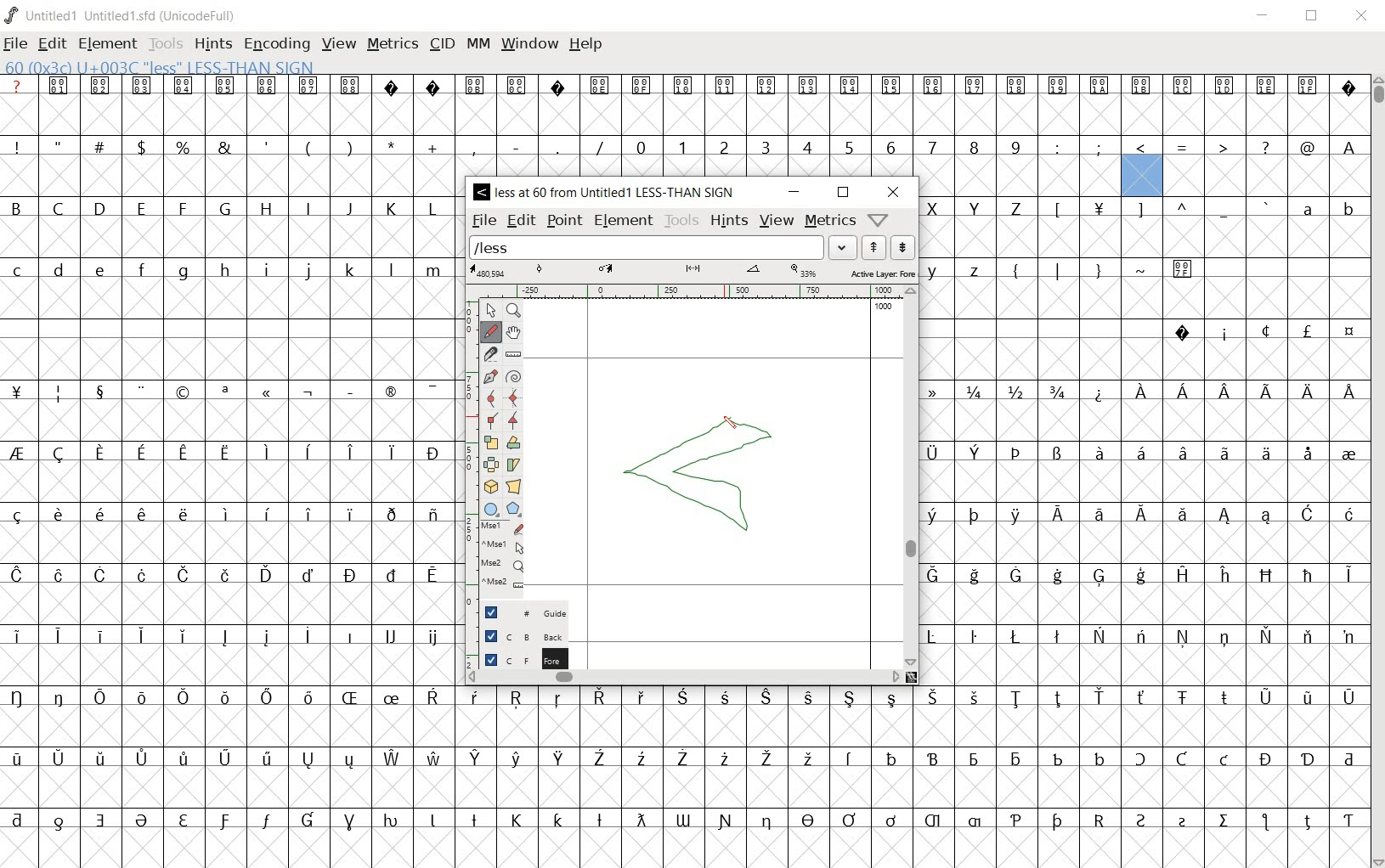 Image resolution: width=1385 pixels, height=868 pixels. Describe the element at coordinates (515, 463) in the screenshot. I see `skew the selection` at that location.